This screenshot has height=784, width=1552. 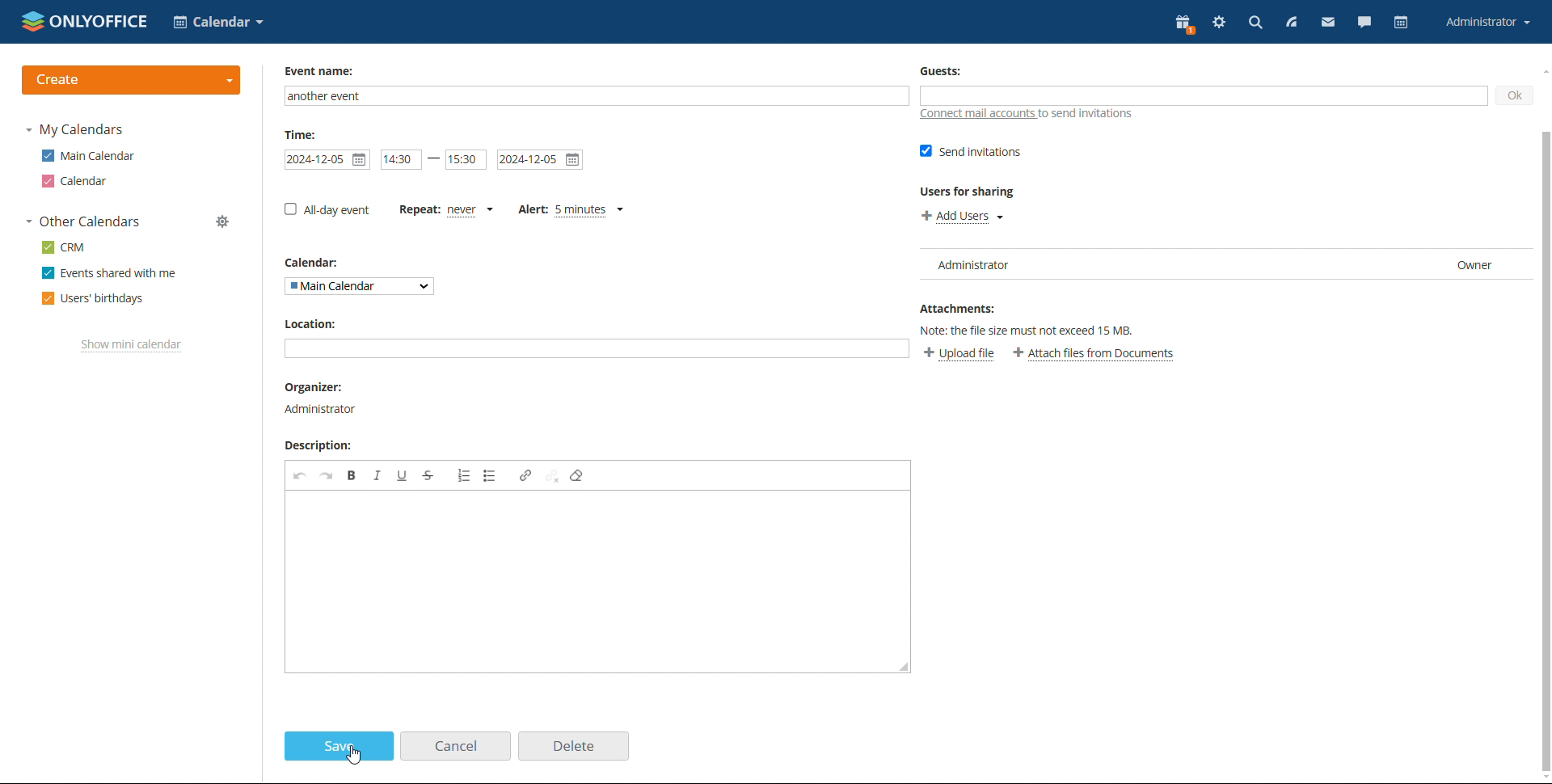 What do you see at coordinates (962, 216) in the screenshot?
I see `add users` at bounding box center [962, 216].